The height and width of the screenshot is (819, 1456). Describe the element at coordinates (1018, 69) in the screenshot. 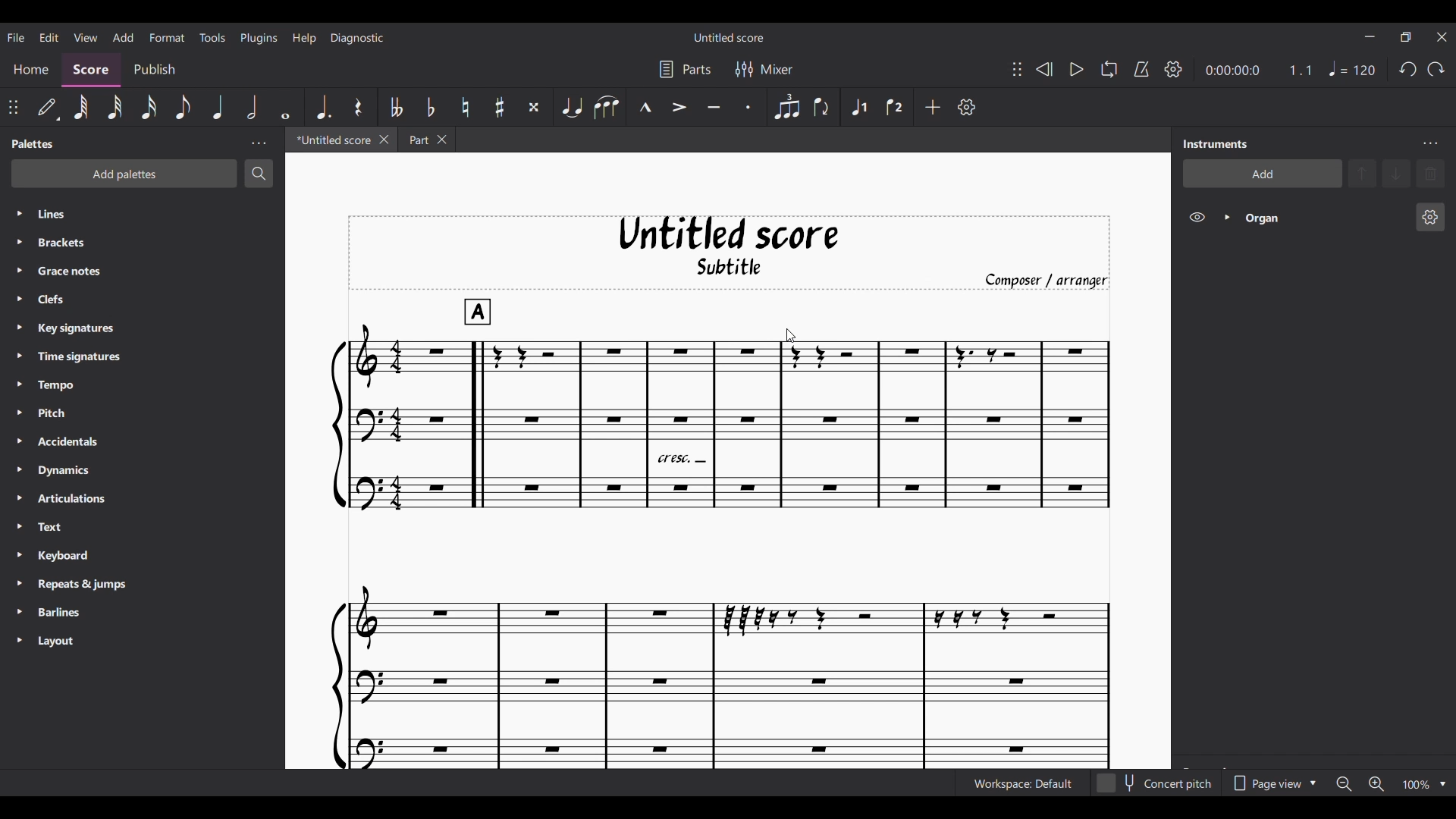

I see `Change position of toolbar attached` at that location.